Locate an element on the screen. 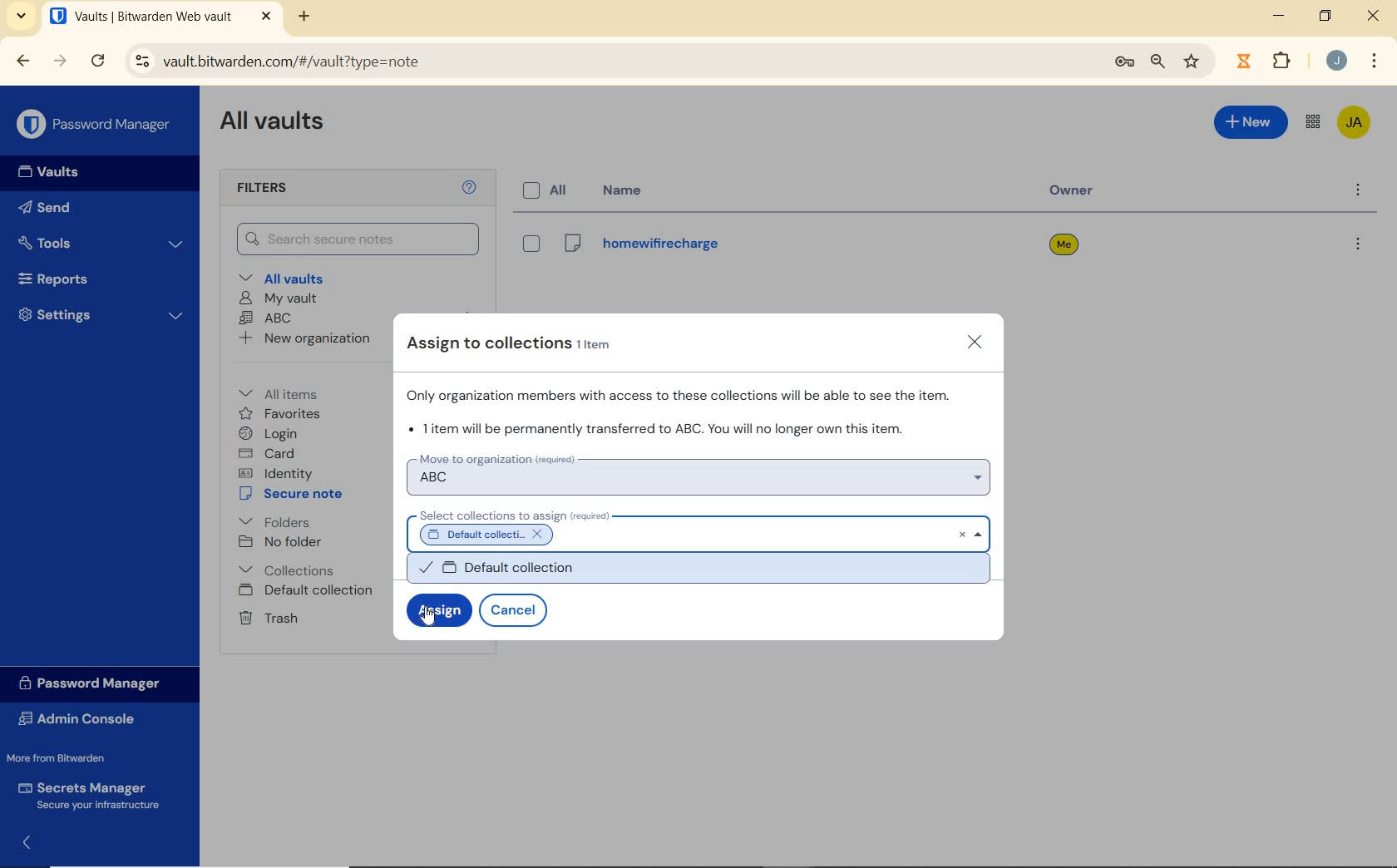  forward is located at coordinates (60, 61).